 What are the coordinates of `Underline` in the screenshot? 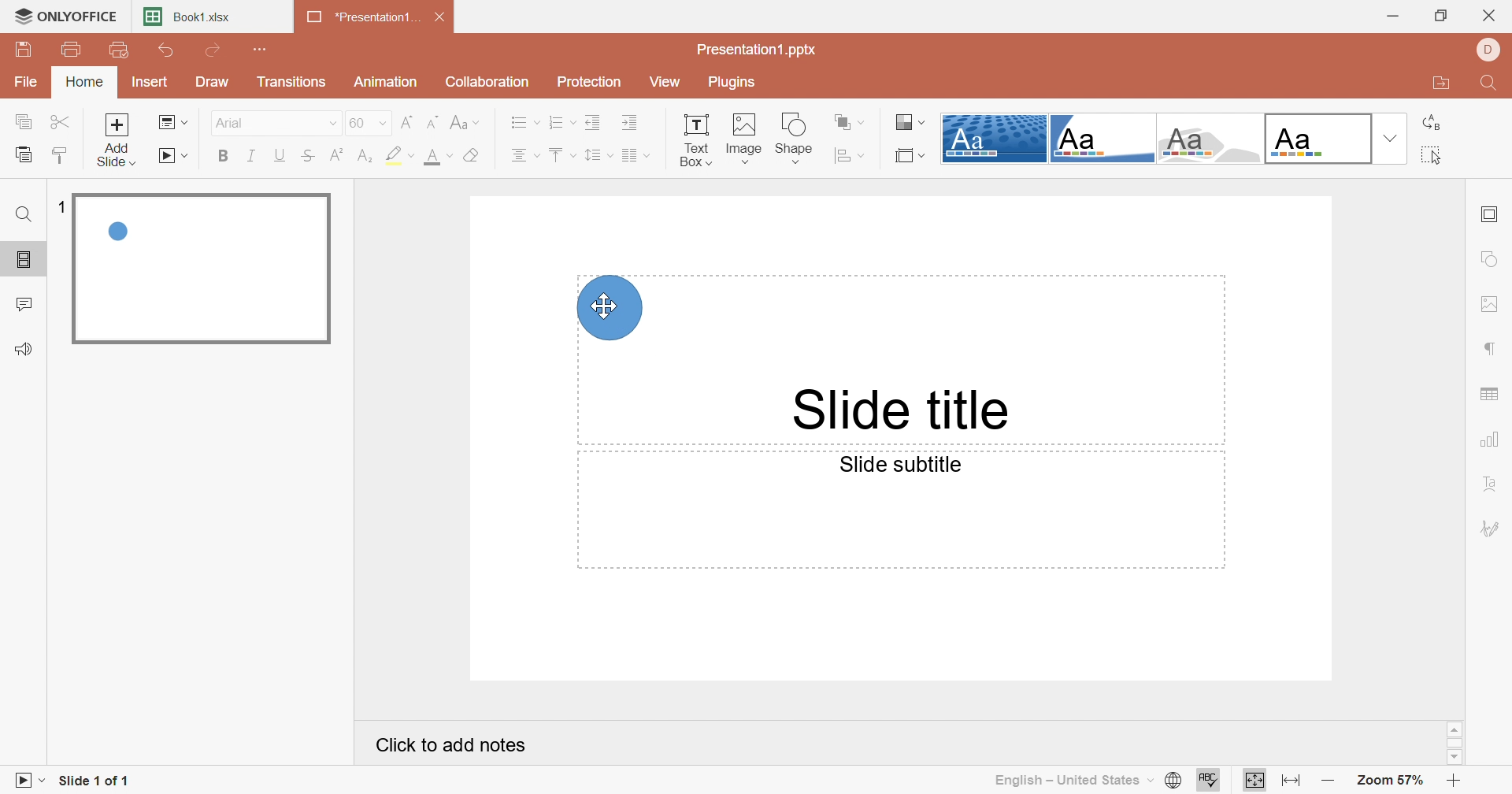 It's located at (281, 155).